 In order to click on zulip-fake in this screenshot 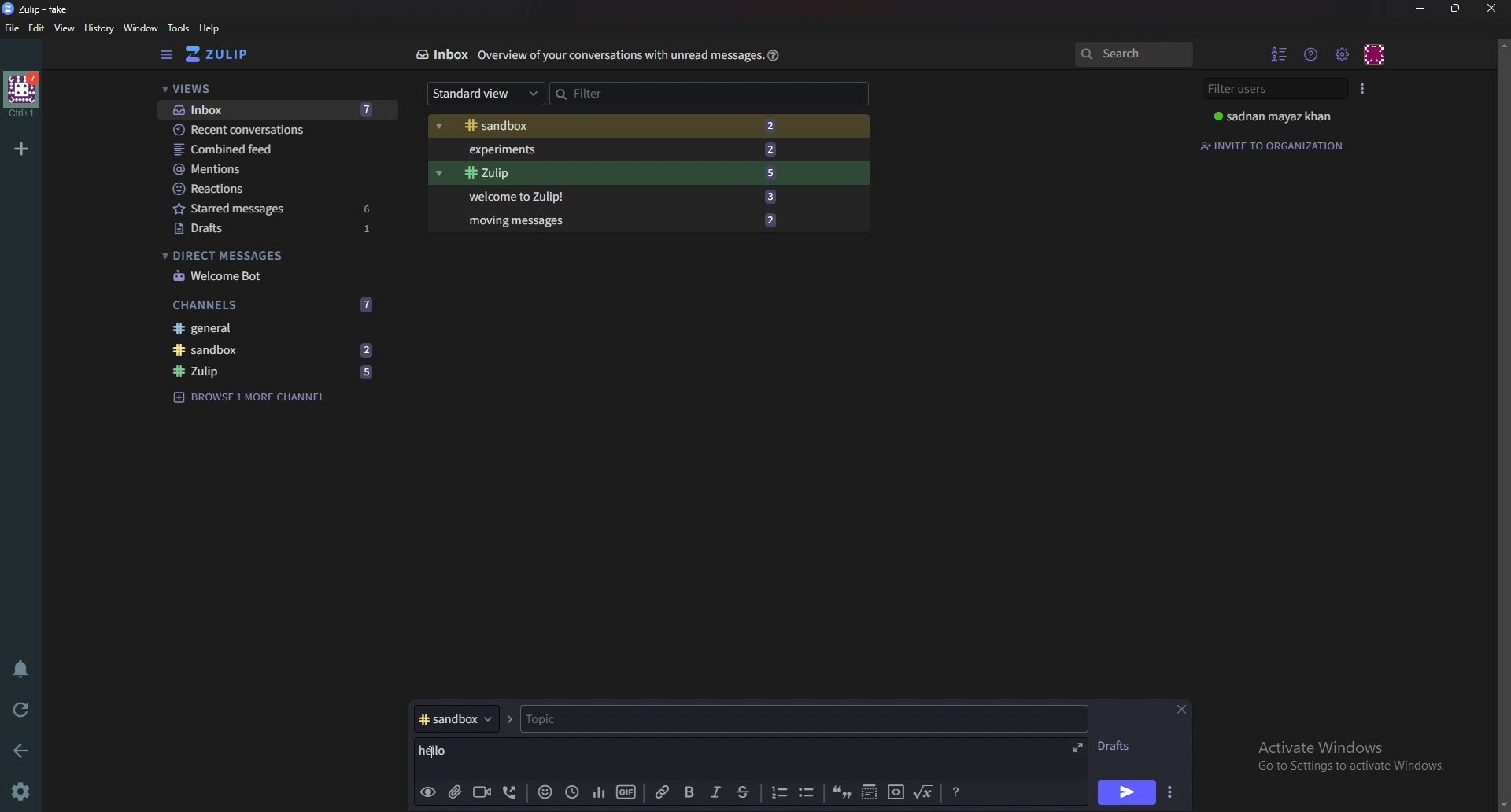, I will do `click(38, 9)`.